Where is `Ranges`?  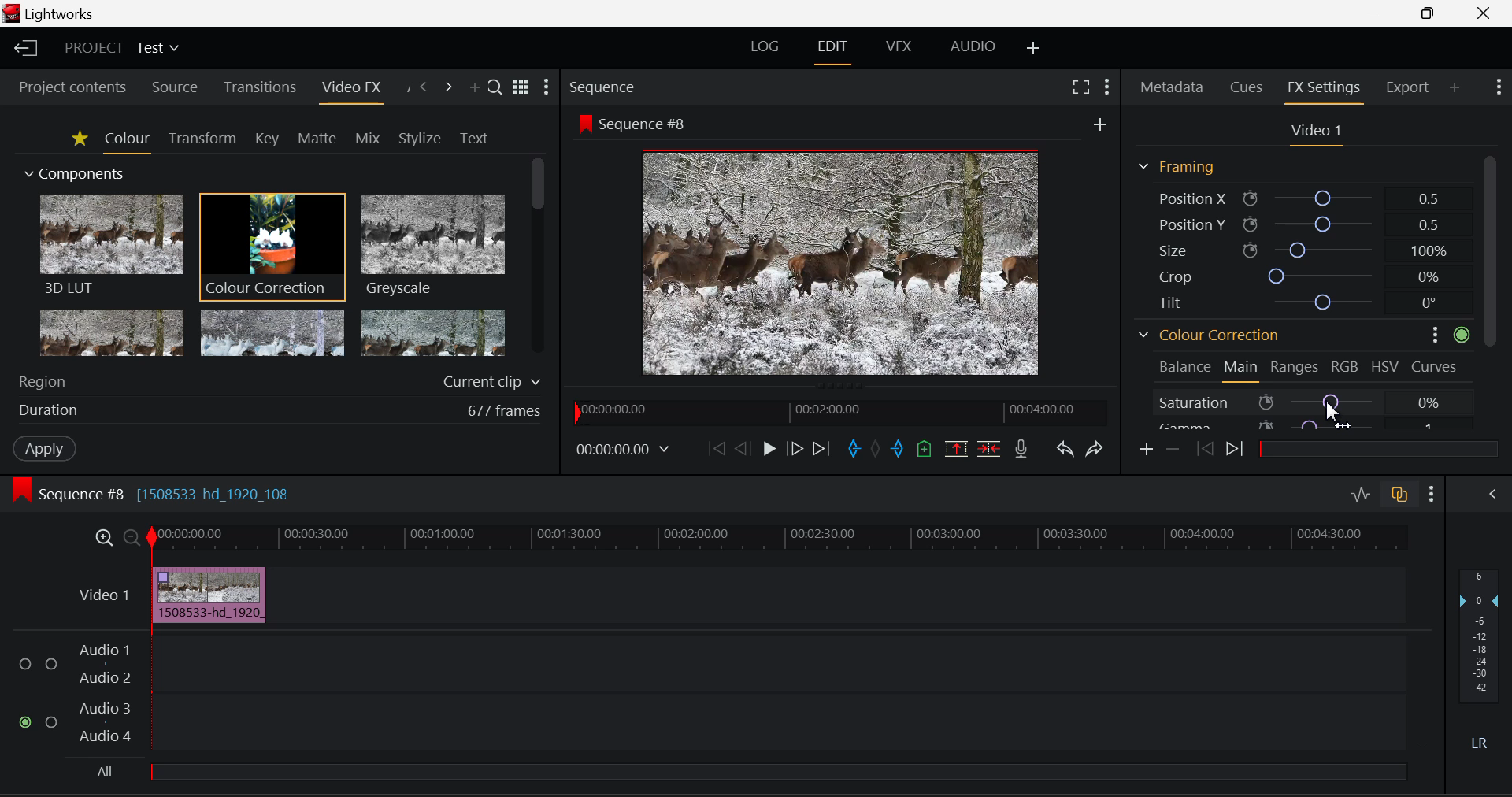 Ranges is located at coordinates (1295, 369).